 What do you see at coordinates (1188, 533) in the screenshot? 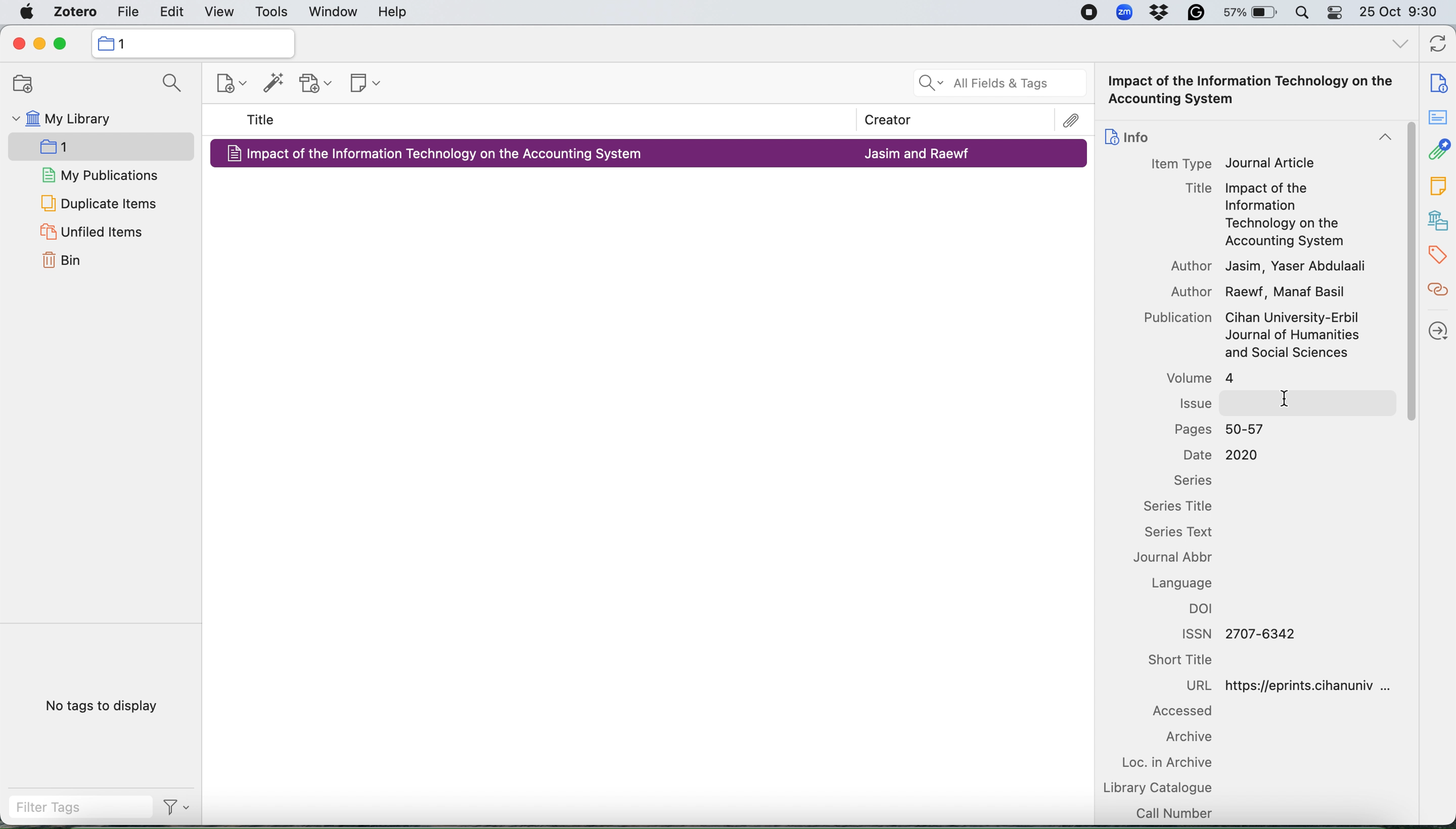
I see `series text` at bounding box center [1188, 533].